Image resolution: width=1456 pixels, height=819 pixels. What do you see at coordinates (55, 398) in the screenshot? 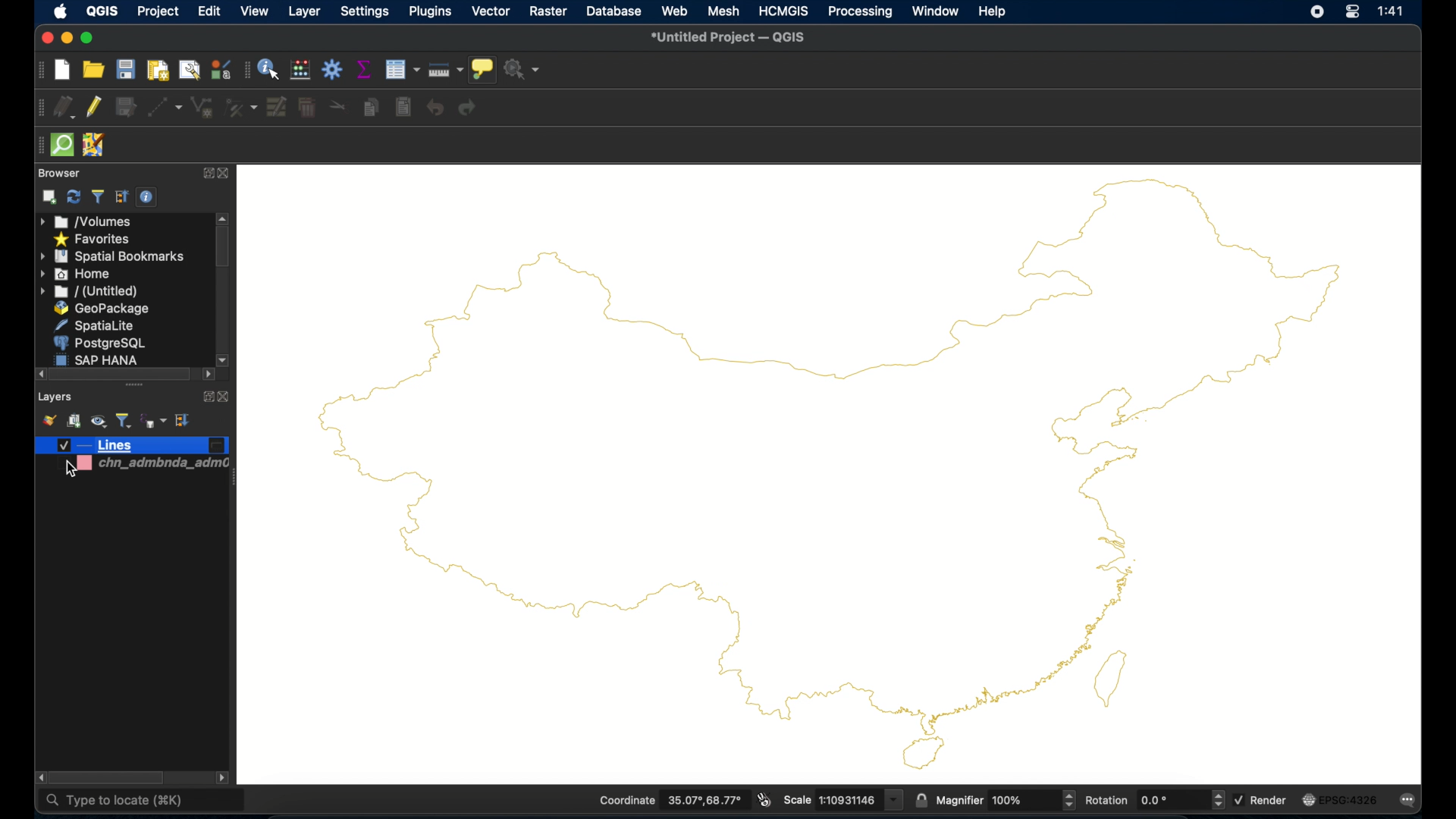
I see `layers` at bounding box center [55, 398].